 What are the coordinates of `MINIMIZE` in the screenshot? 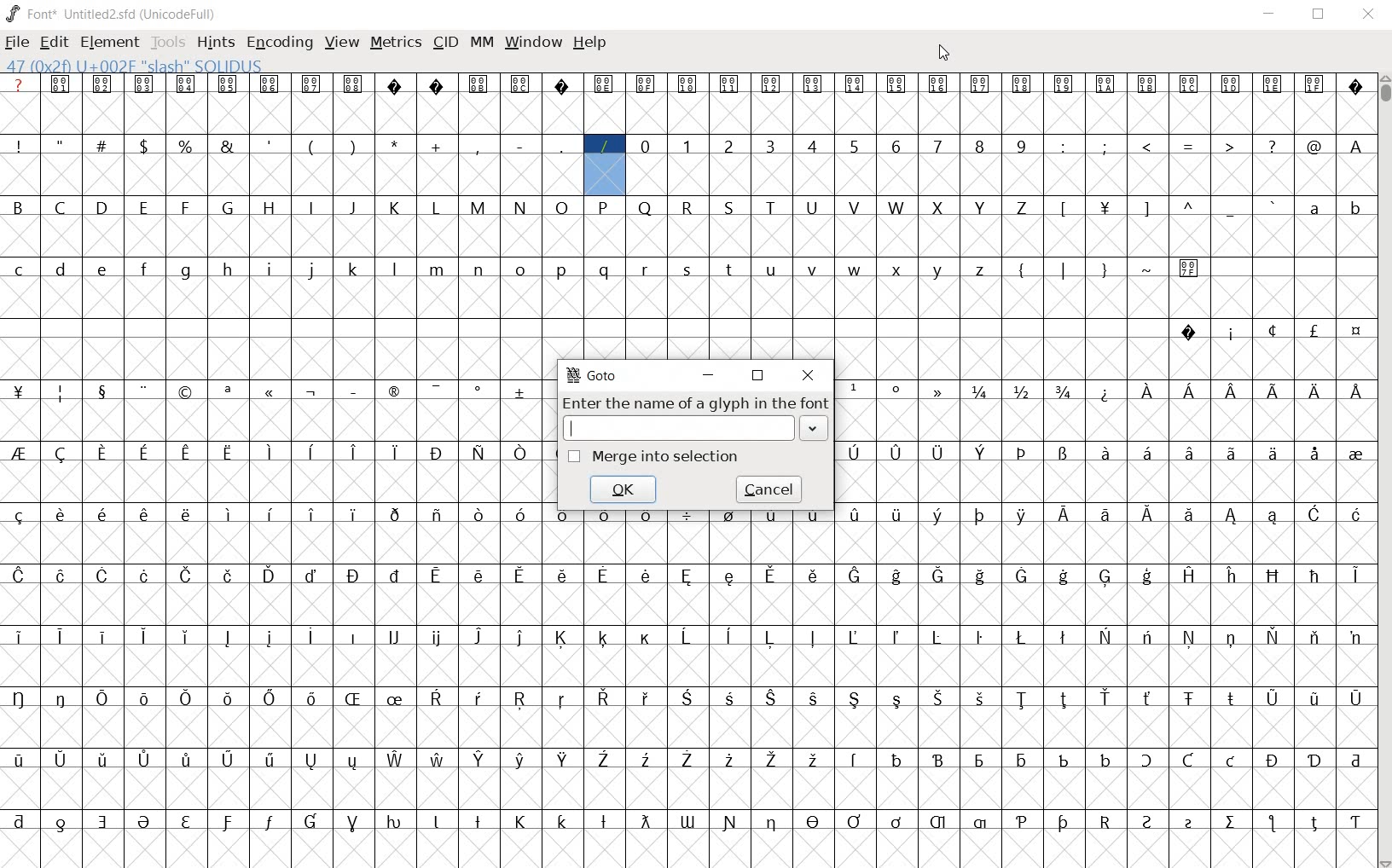 It's located at (1271, 13).